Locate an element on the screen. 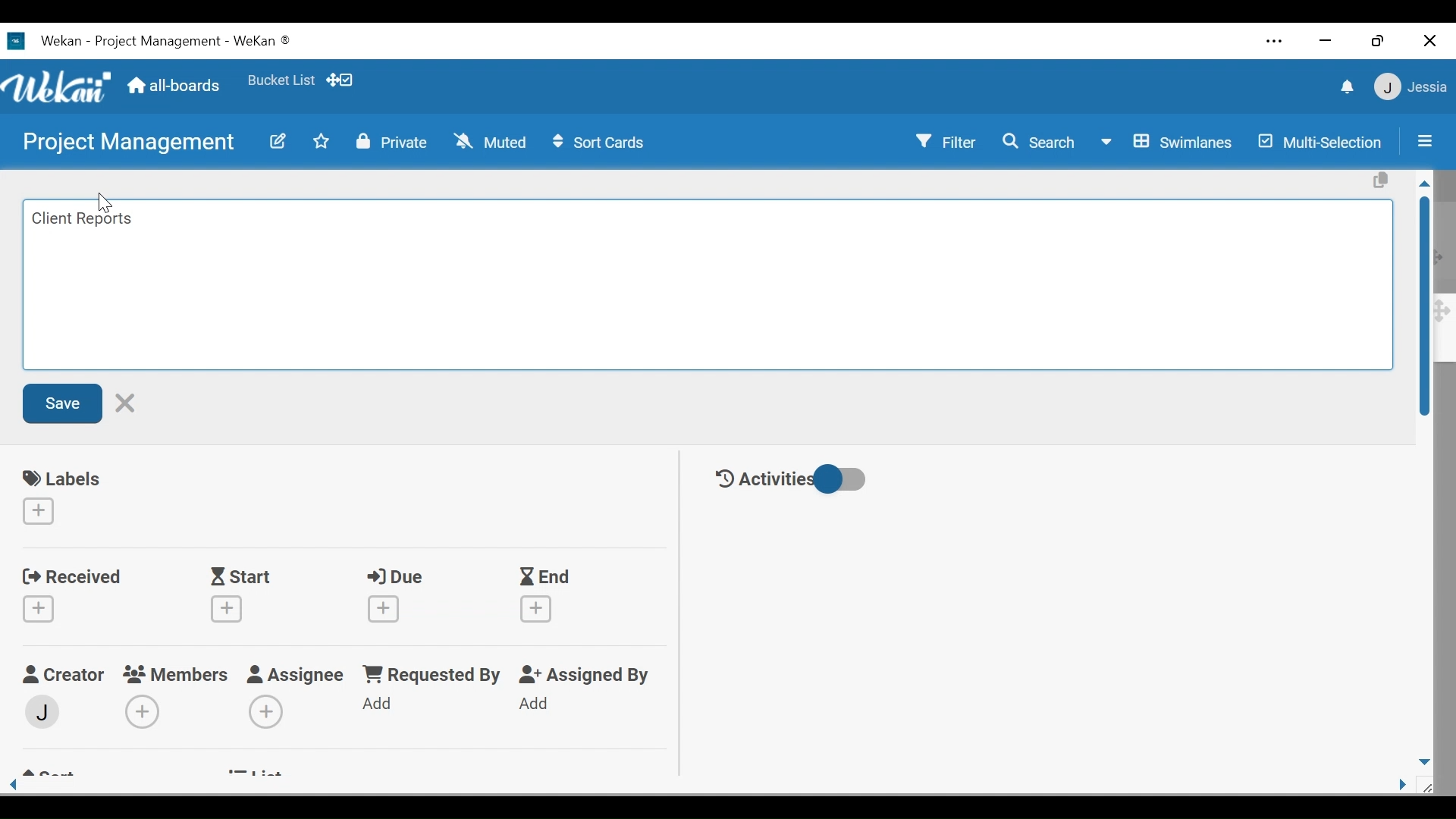  Toggle show/hide activities is located at coordinates (843, 481).